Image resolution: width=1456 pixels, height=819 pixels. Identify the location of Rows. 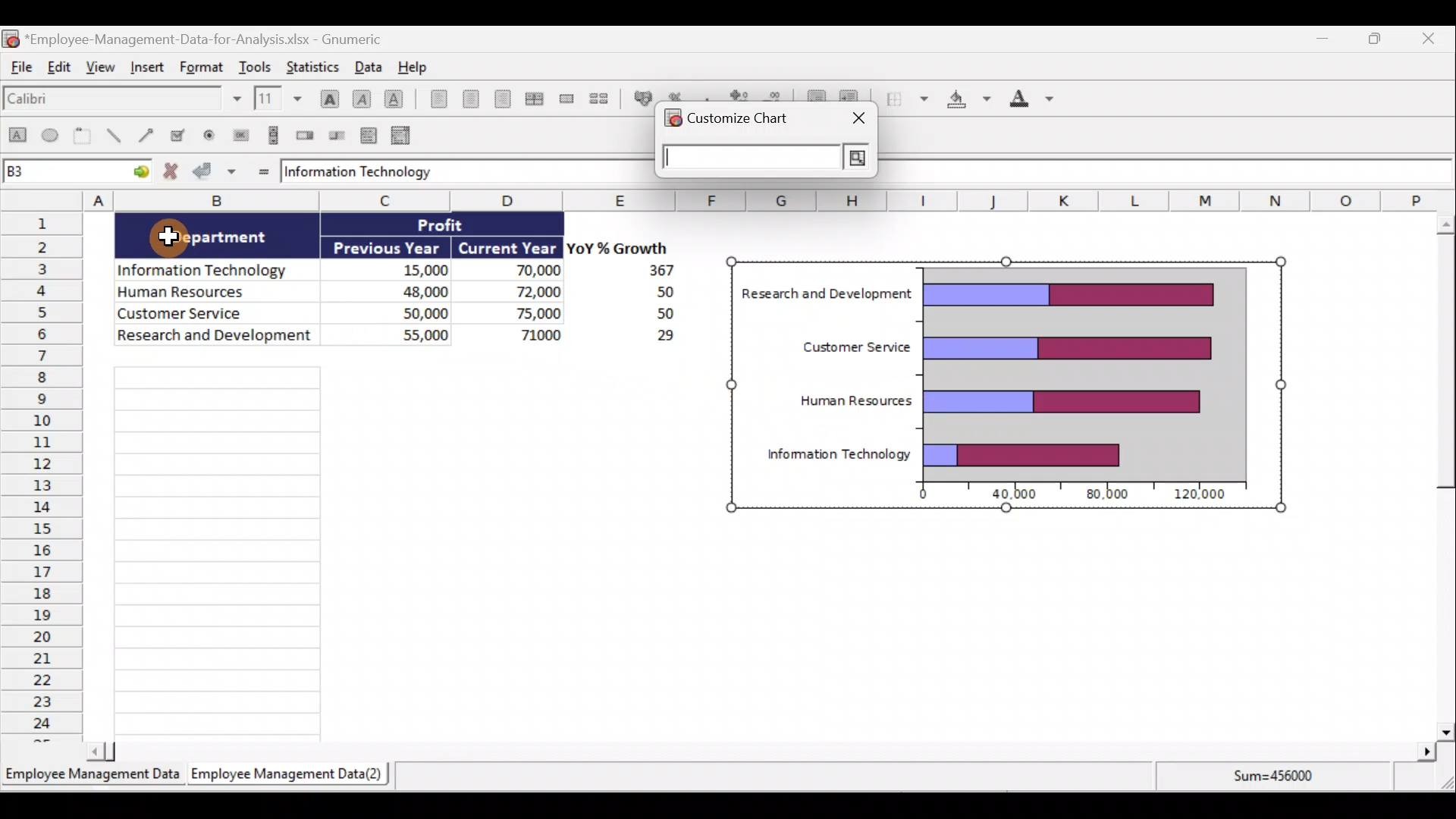
(42, 475).